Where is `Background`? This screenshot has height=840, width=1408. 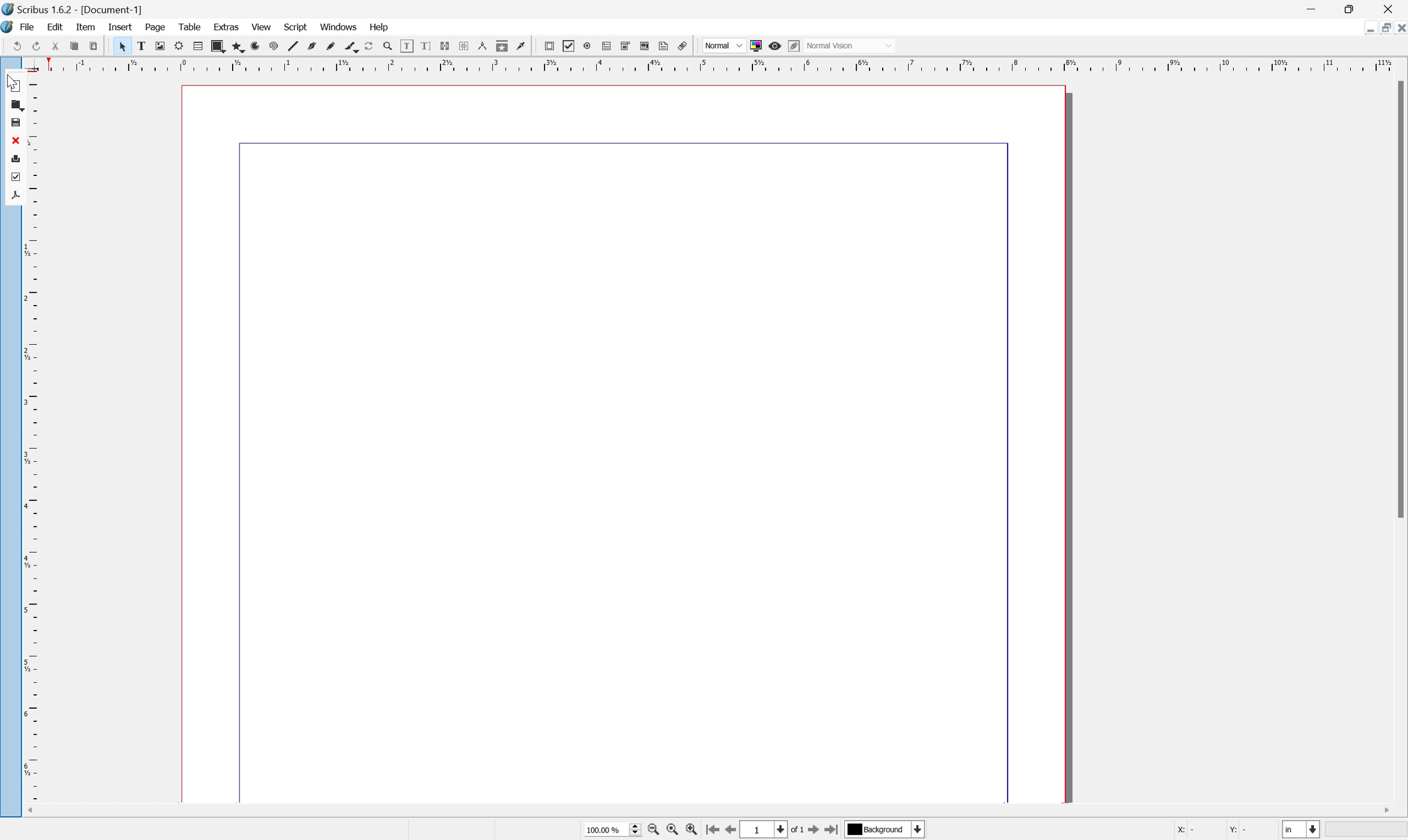
Background is located at coordinates (884, 830).